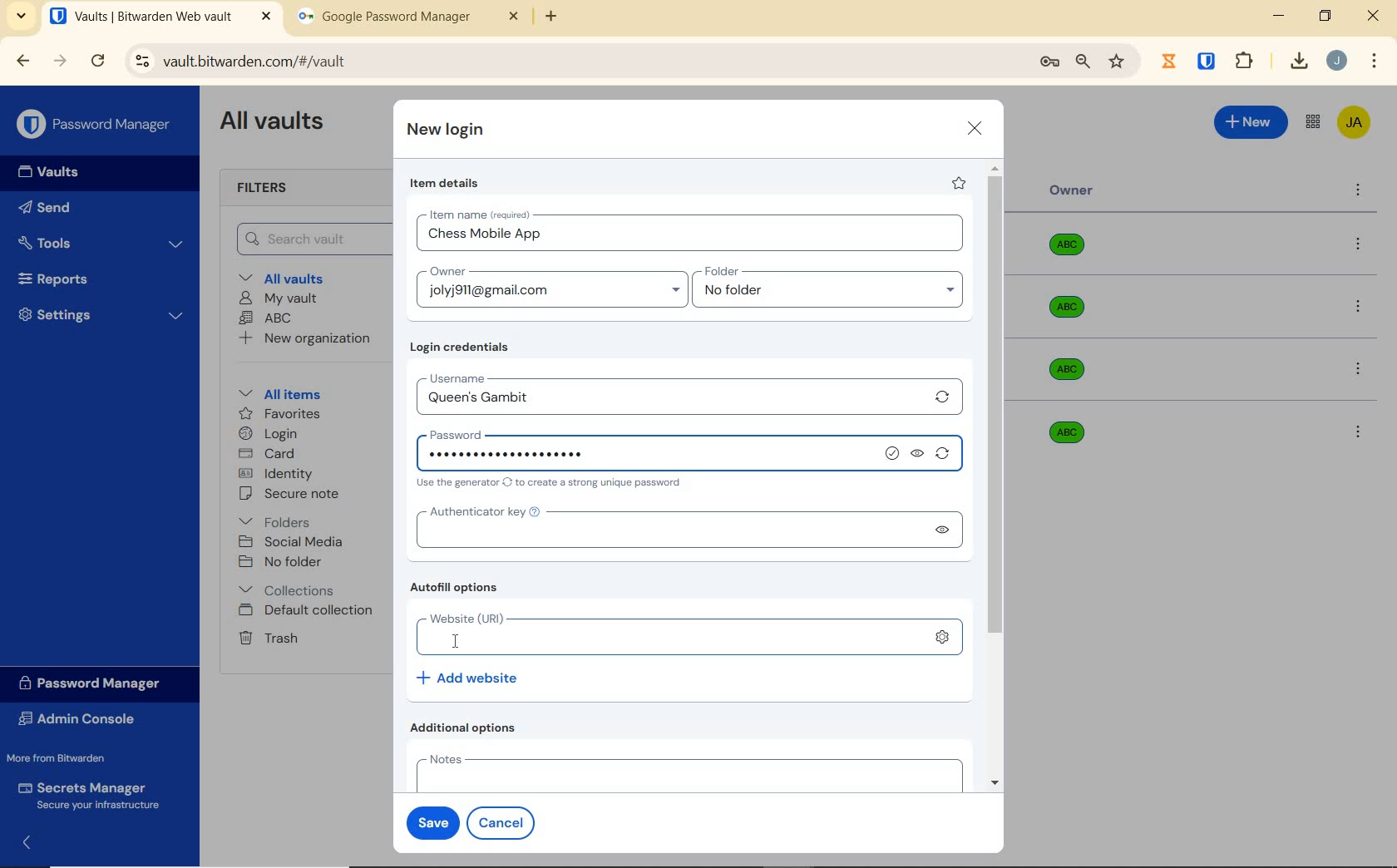 This screenshot has height=868, width=1397. Describe the element at coordinates (36, 841) in the screenshot. I see `close side bar` at that location.